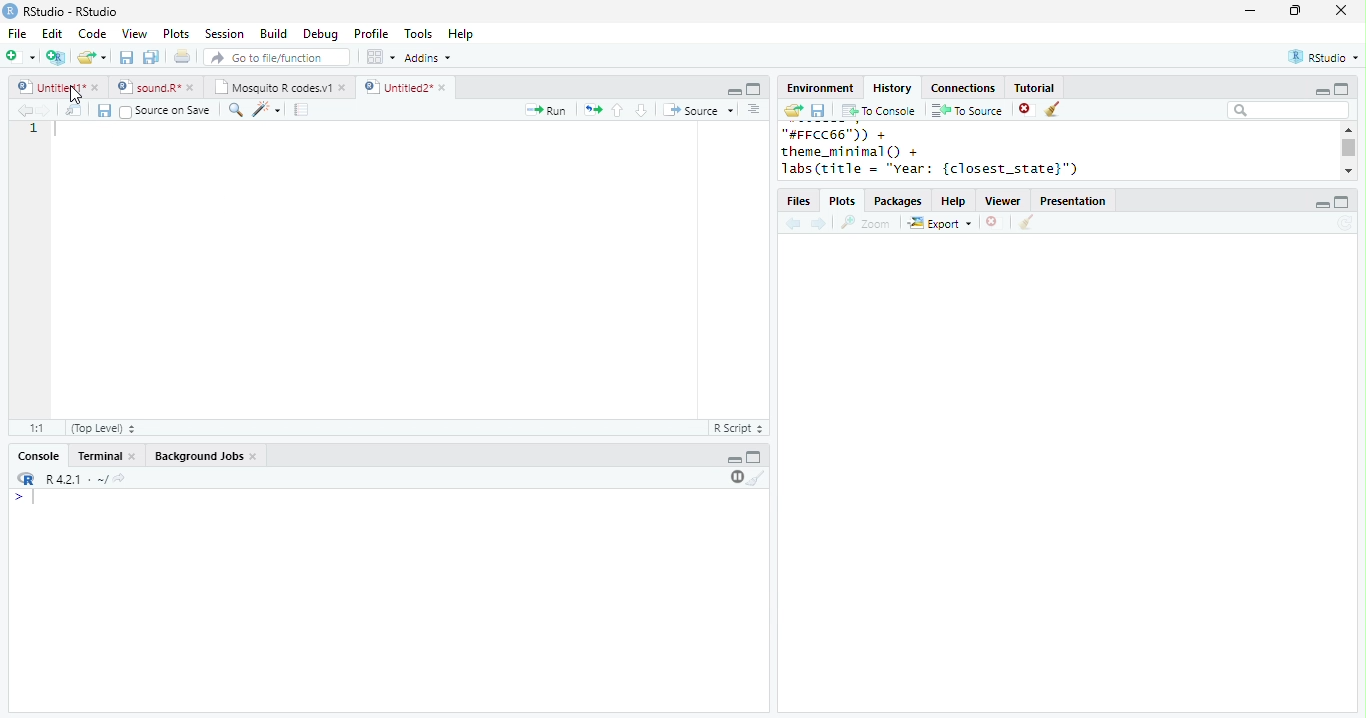  What do you see at coordinates (27, 497) in the screenshot?
I see `>` at bounding box center [27, 497].